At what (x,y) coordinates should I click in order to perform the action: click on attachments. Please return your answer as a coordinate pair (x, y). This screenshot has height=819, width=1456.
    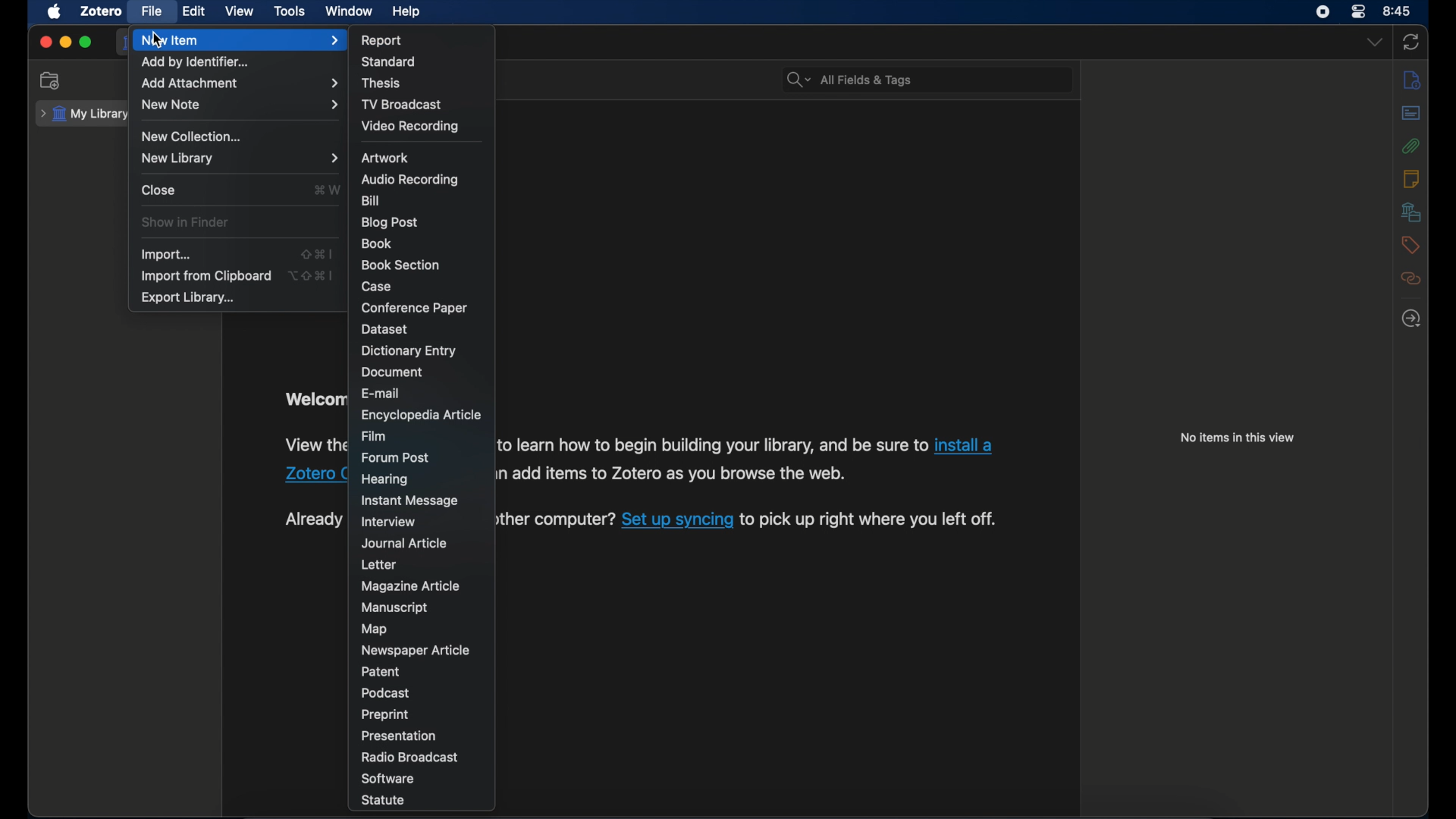
    Looking at the image, I should click on (1411, 146).